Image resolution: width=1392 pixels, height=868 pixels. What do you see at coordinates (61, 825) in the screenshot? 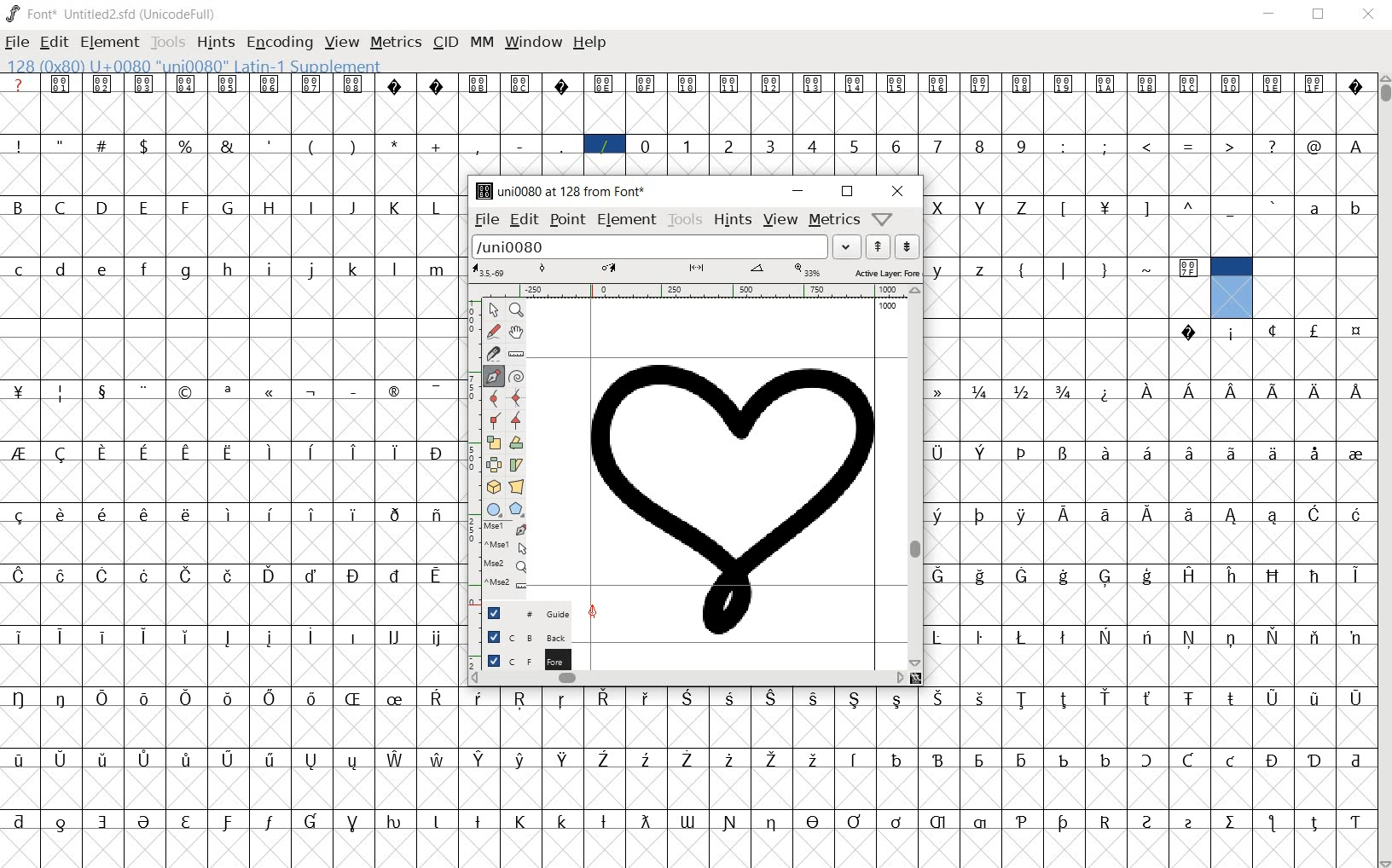
I see `glyph` at bounding box center [61, 825].